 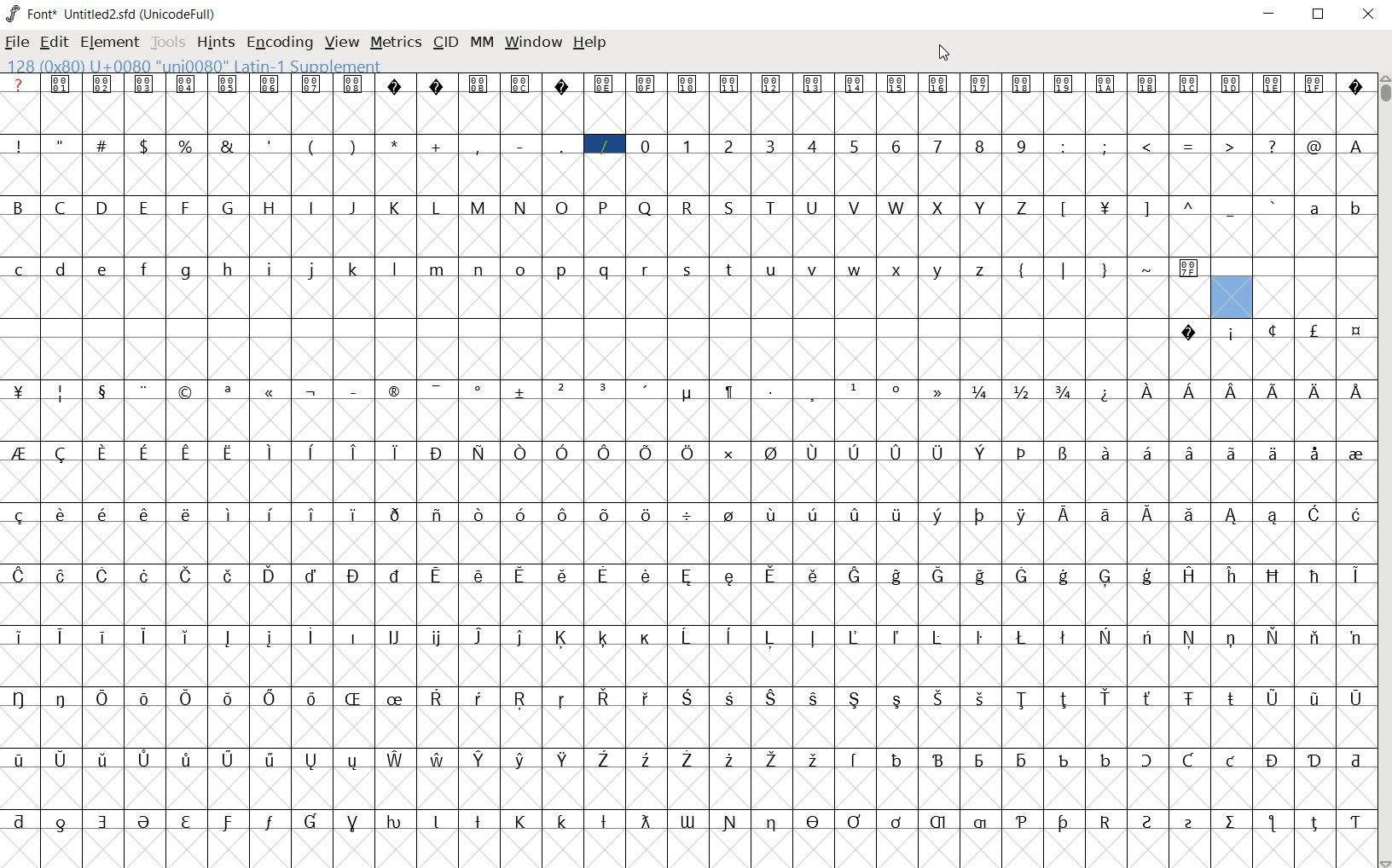 What do you see at coordinates (227, 638) in the screenshot?
I see `glyph` at bounding box center [227, 638].